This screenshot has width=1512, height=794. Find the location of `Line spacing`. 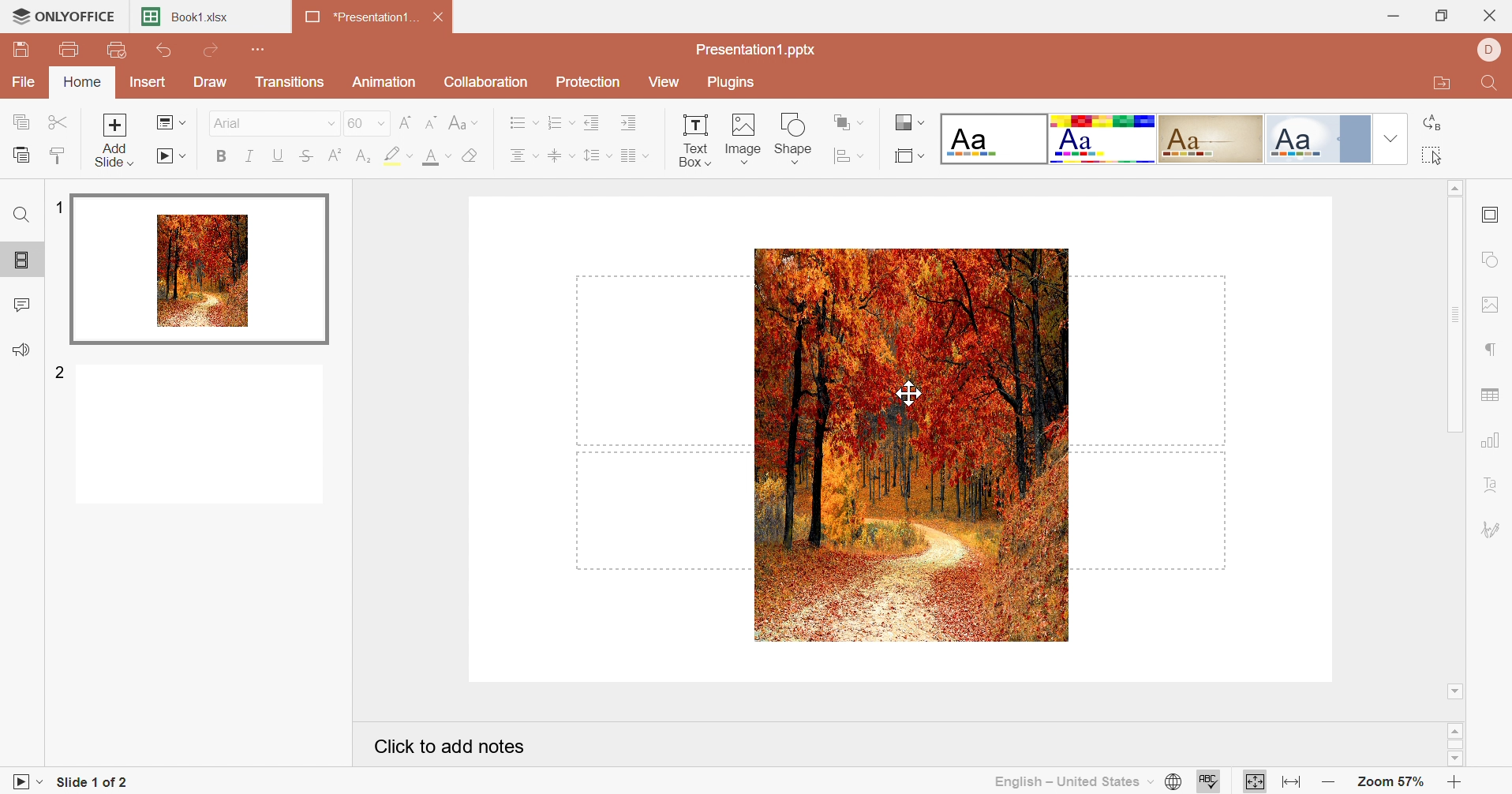

Line spacing is located at coordinates (591, 158).